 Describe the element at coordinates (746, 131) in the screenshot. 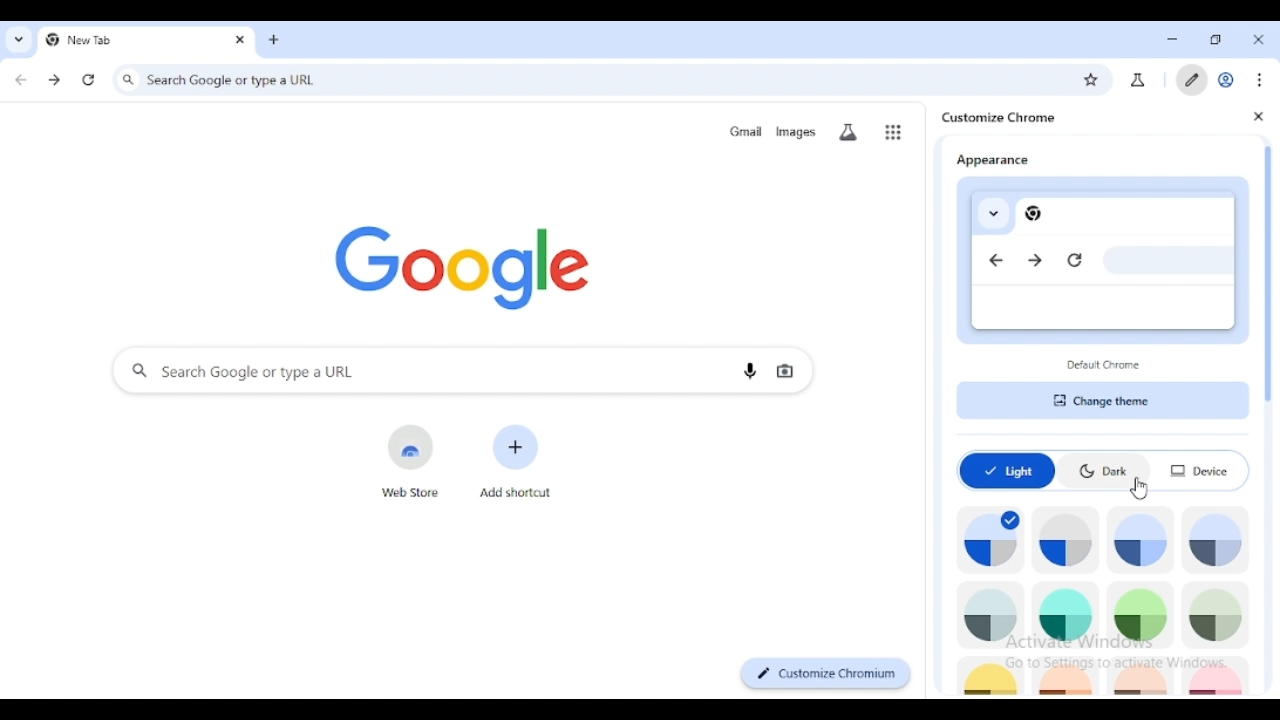

I see `gmail` at that location.